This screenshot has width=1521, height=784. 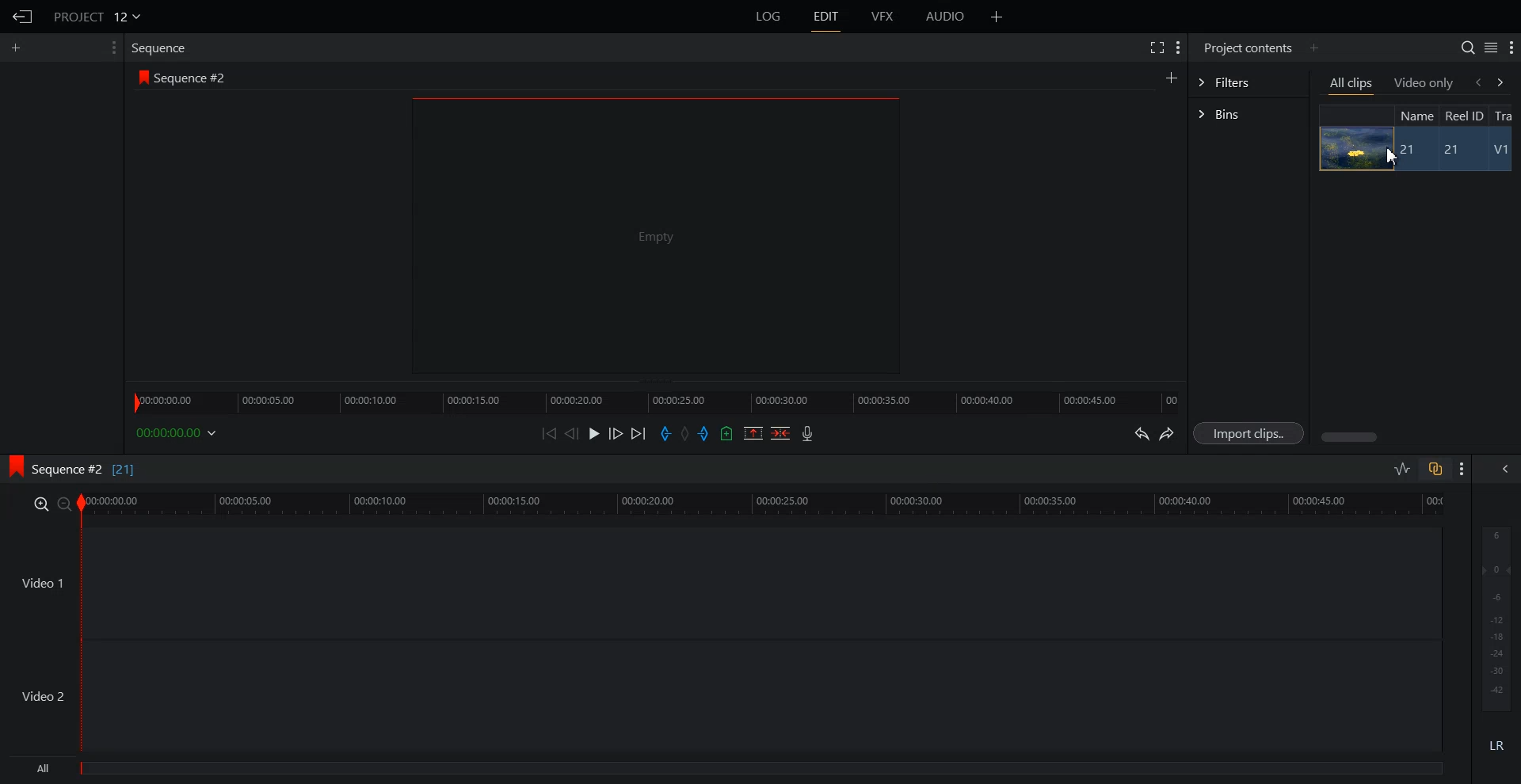 What do you see at coordinates (1477, 82) in the screenshot?
I see `backward` at bounding box center [1477, 82].